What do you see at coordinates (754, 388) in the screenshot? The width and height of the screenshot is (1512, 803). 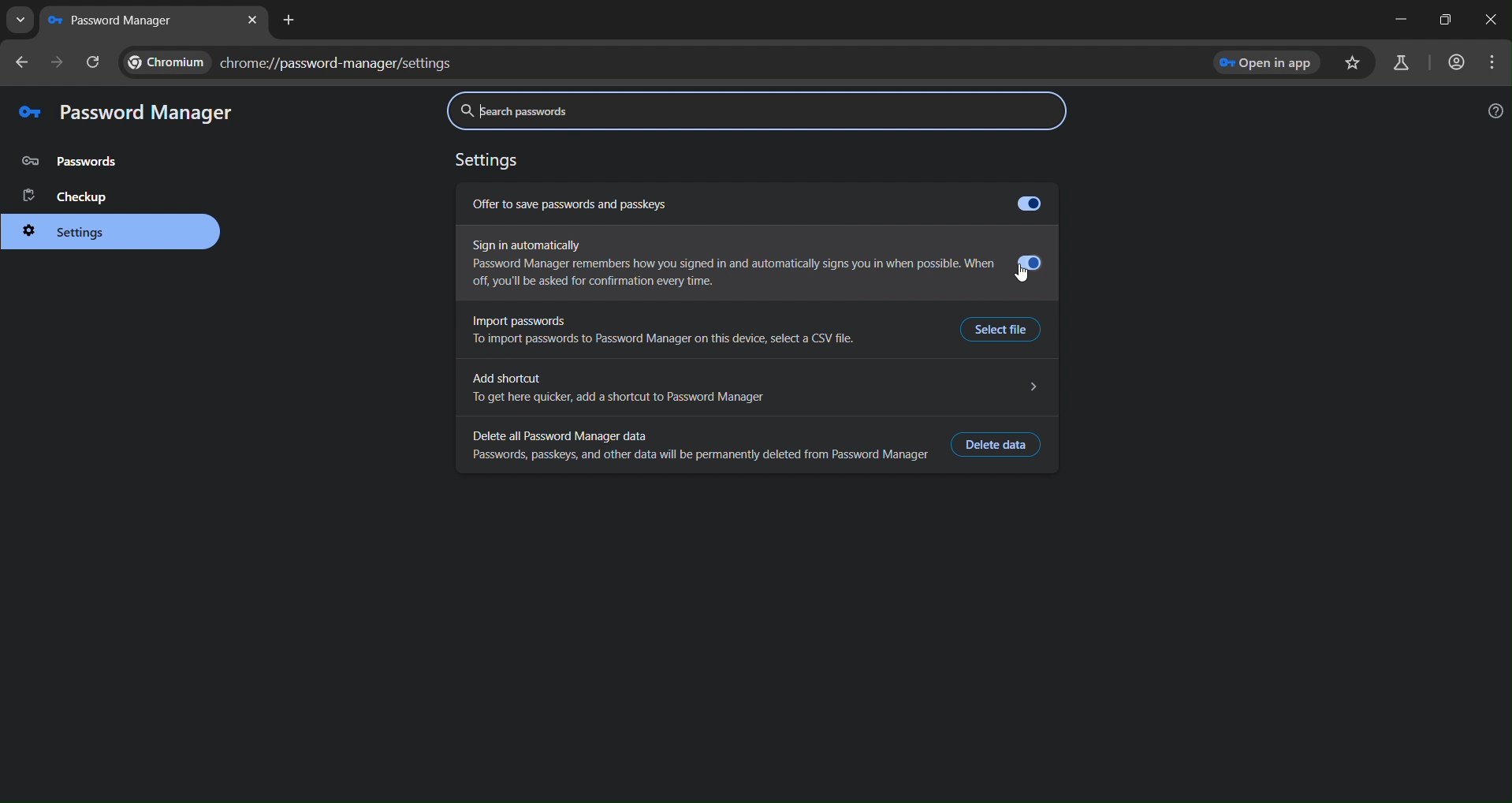 I see `Add shortcut 5
To get here quicker, add a shortcut to Password Manager` at bounding box center [754, 388].